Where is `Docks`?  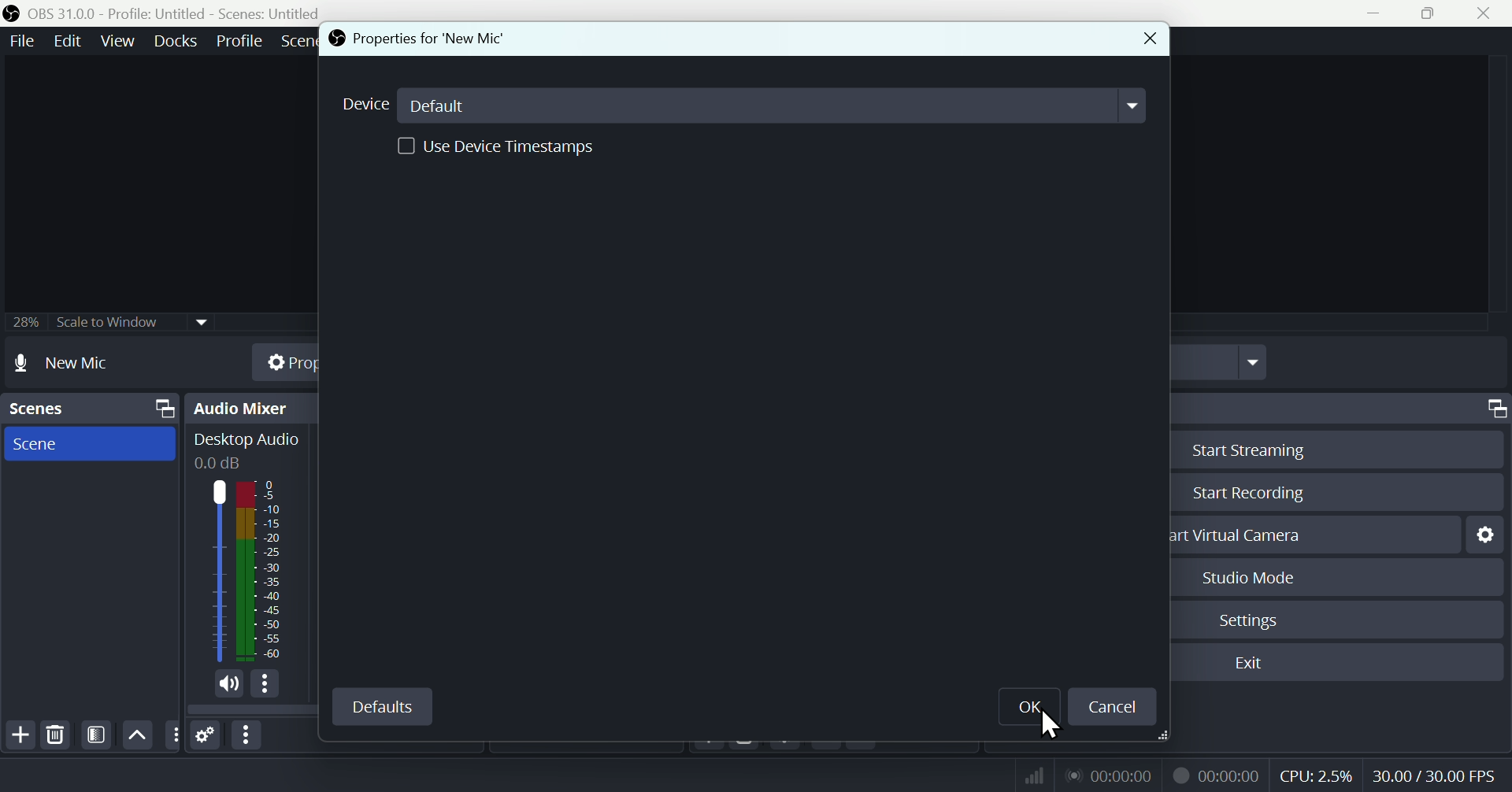 Docks is located at coordinates (179, 41).